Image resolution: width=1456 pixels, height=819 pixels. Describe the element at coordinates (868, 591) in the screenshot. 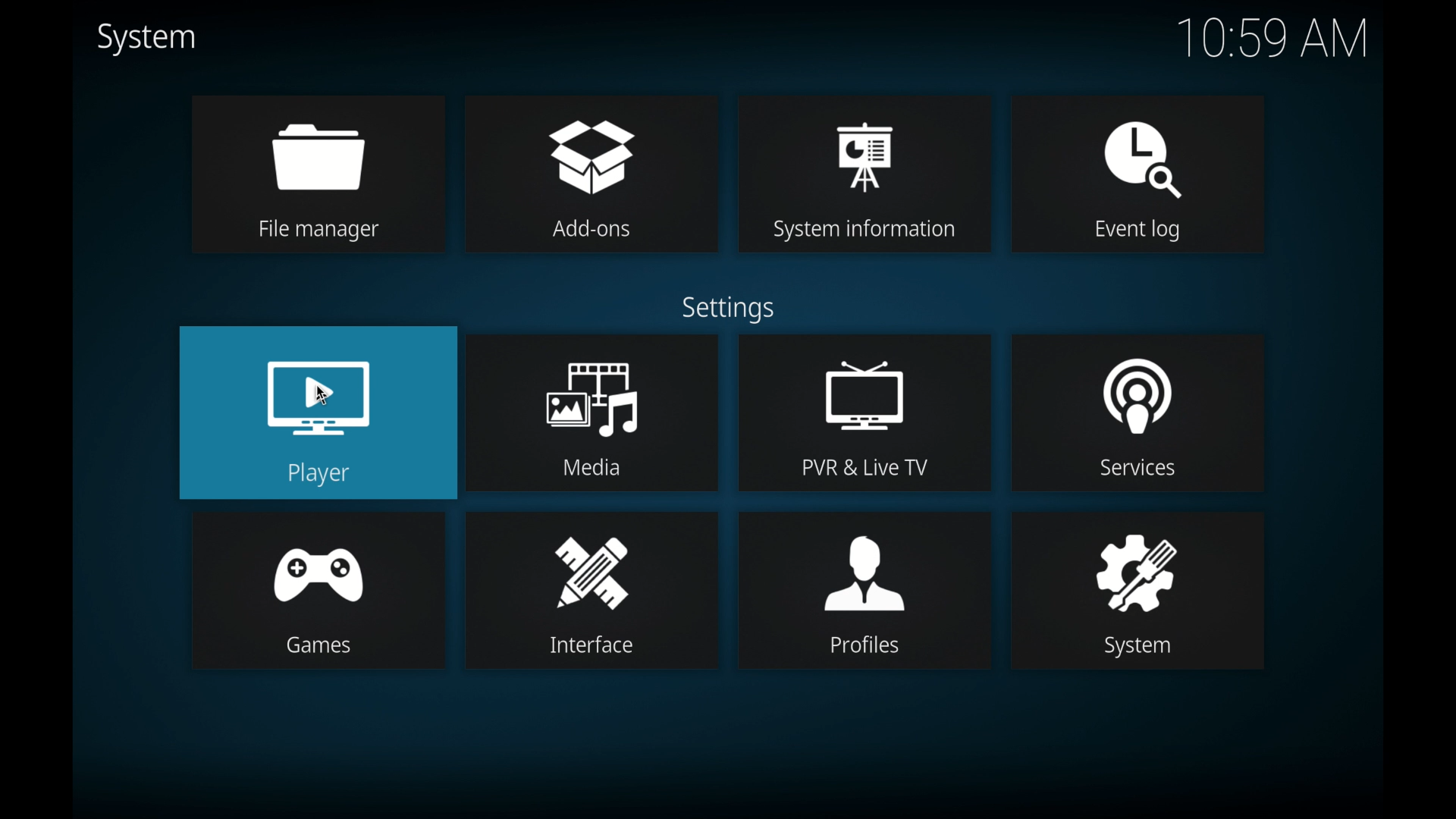

I see `profiles` at that location.